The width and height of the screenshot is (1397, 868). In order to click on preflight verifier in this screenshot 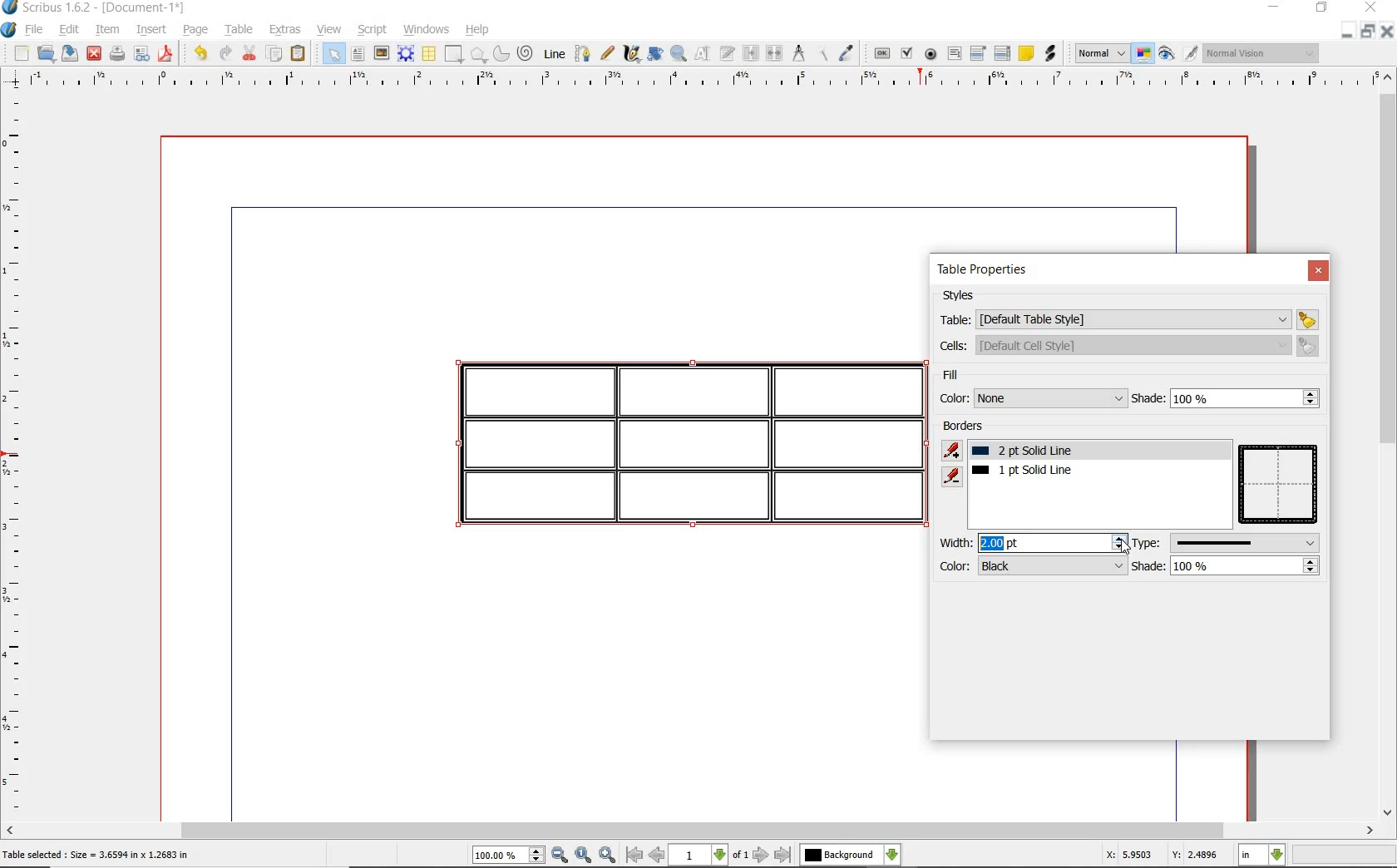, I will do `click(140, 55)`.